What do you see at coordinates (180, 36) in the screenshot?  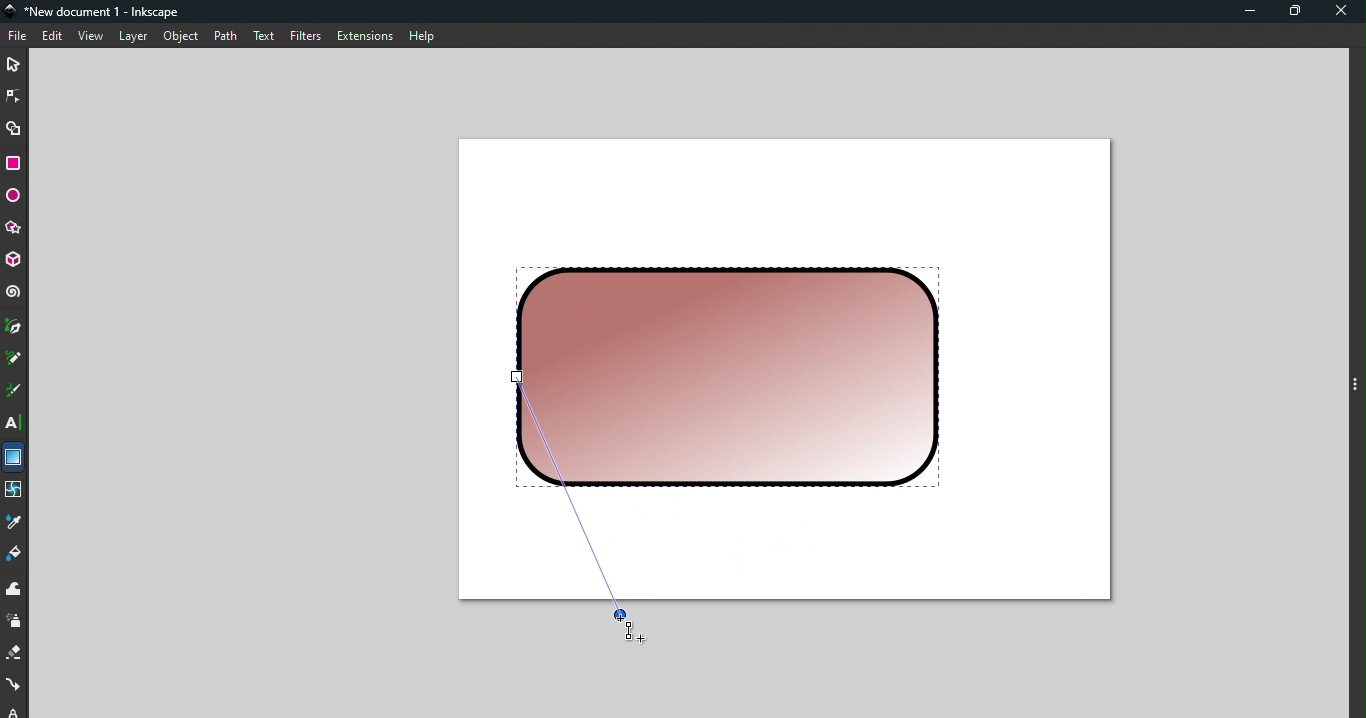 I see `Object` at bounding box center [180, 36].